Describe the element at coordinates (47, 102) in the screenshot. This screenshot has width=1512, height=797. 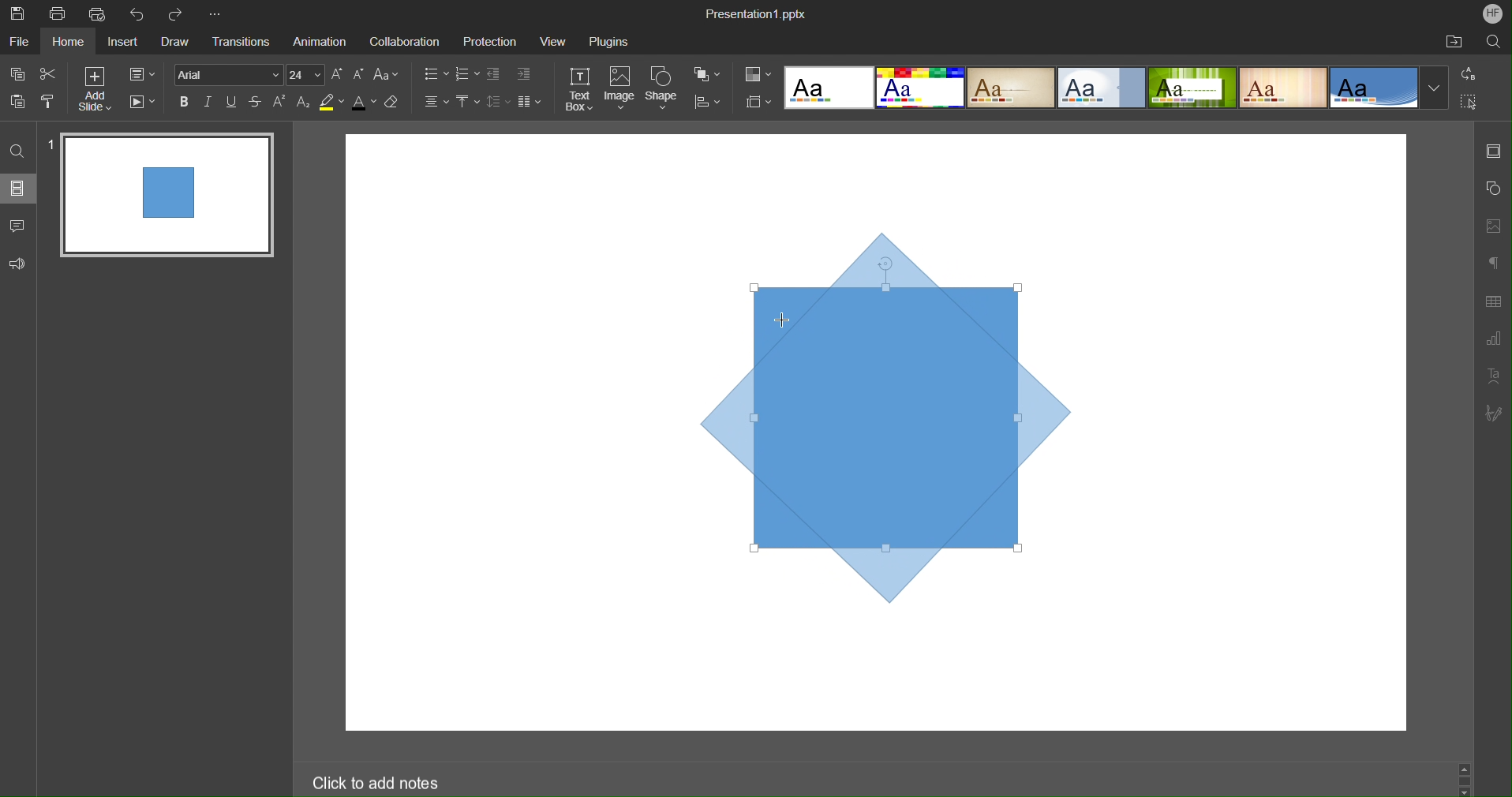
I see `Copy Style` at that location.